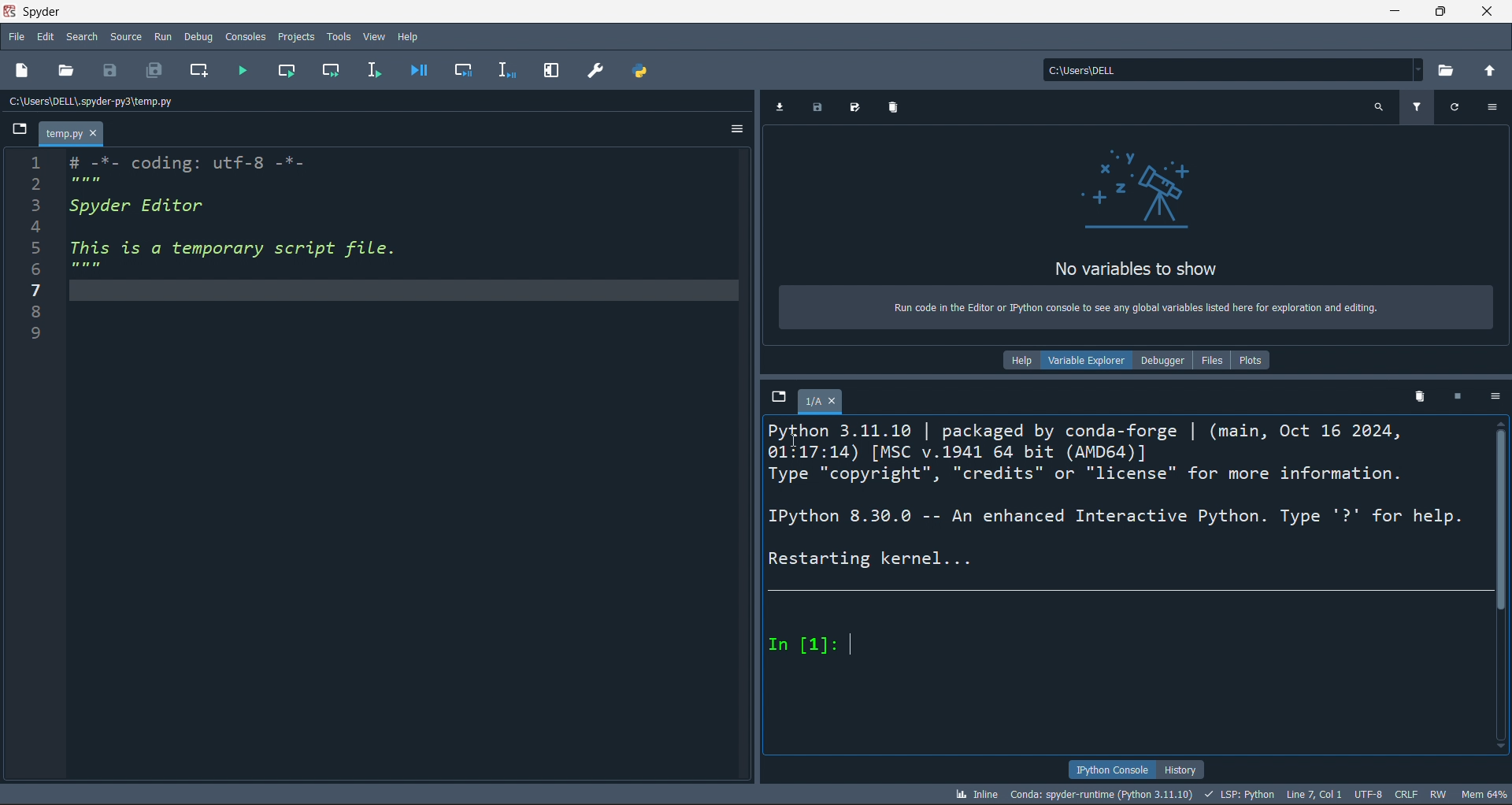 Image resolution: width=1512 pixels, height=805 pixels. What do you see at coordinates (1458, 399) in the screenshot?
I see `stop kernel` at bounding box center [1458, 399].